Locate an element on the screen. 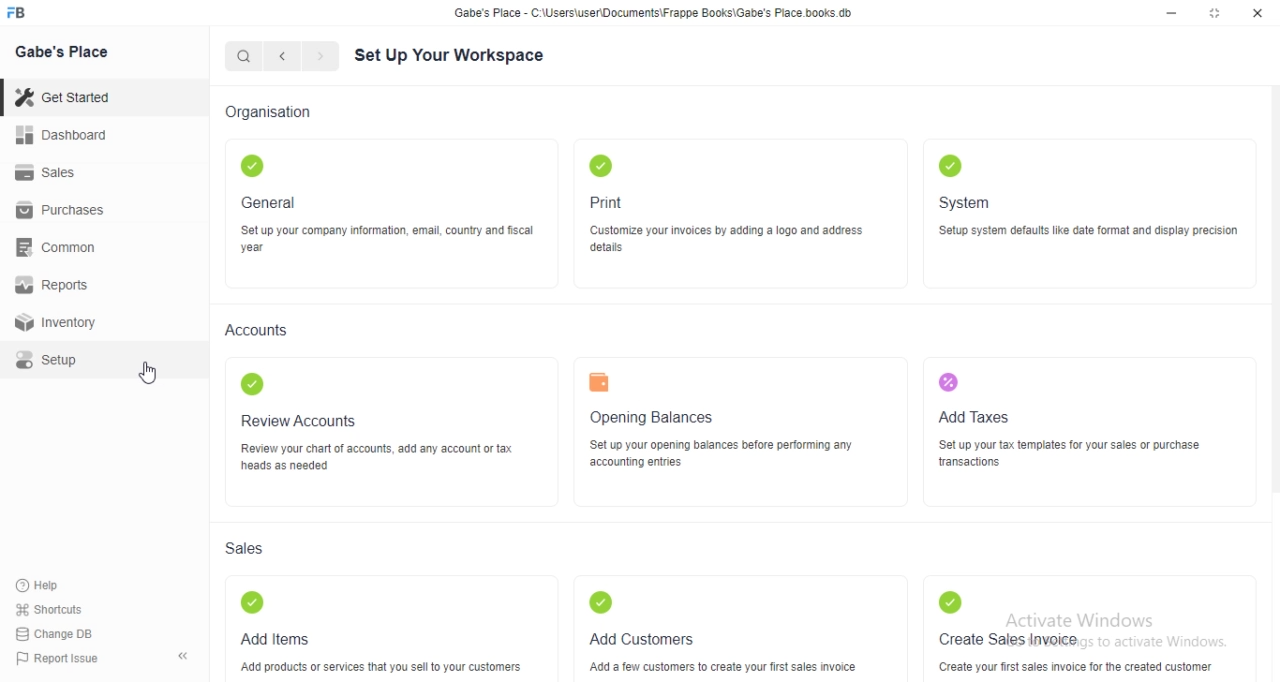 The width and height of the screenshot is (1280, 682). Purchases is located at coordinates (66, 212).